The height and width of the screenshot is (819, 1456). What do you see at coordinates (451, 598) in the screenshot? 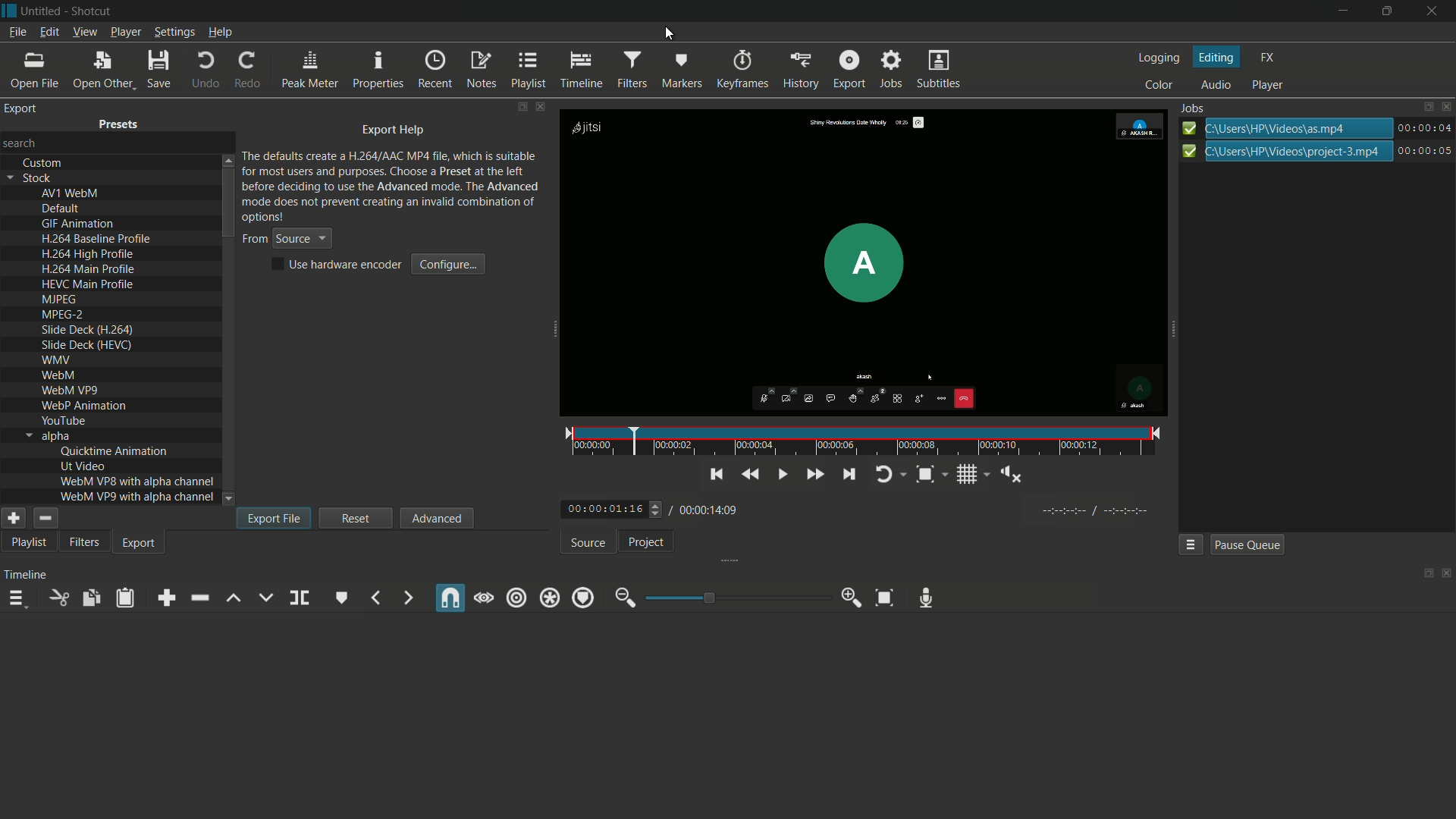
I see `snap` at bounding box center [451, 598].